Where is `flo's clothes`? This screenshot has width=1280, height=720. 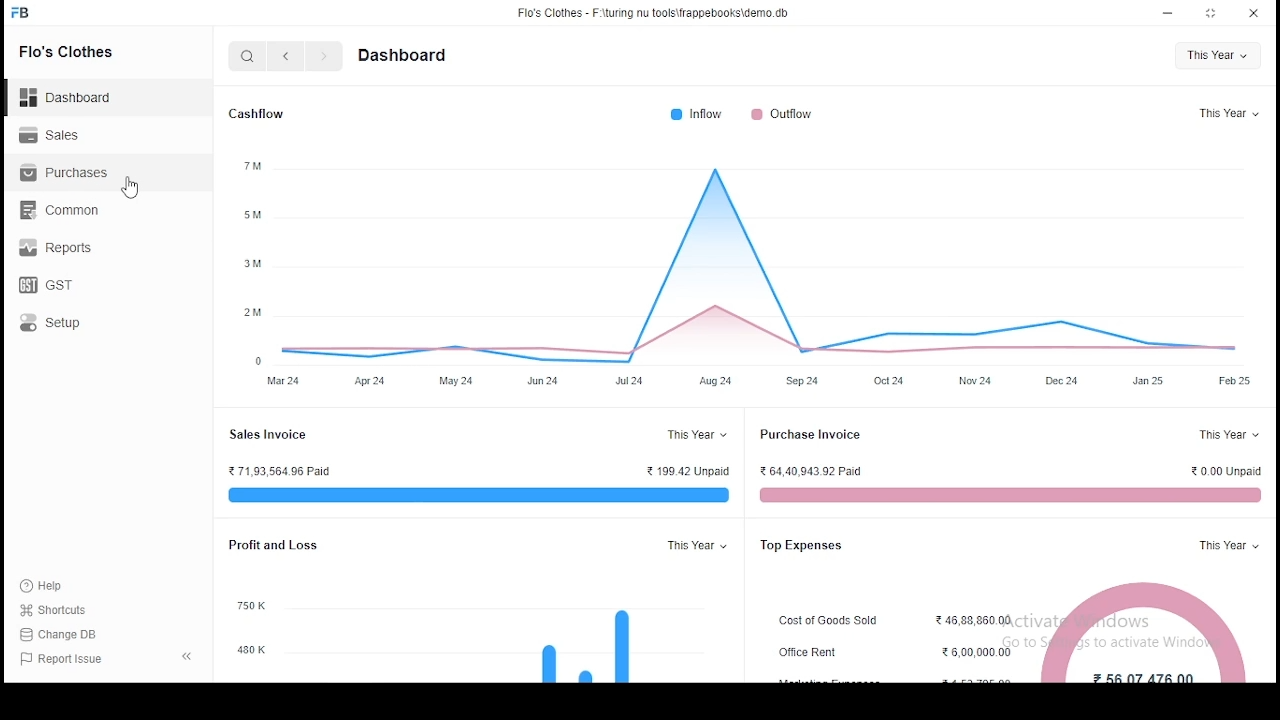
flo's clothes is located at coordinates (69, 51).